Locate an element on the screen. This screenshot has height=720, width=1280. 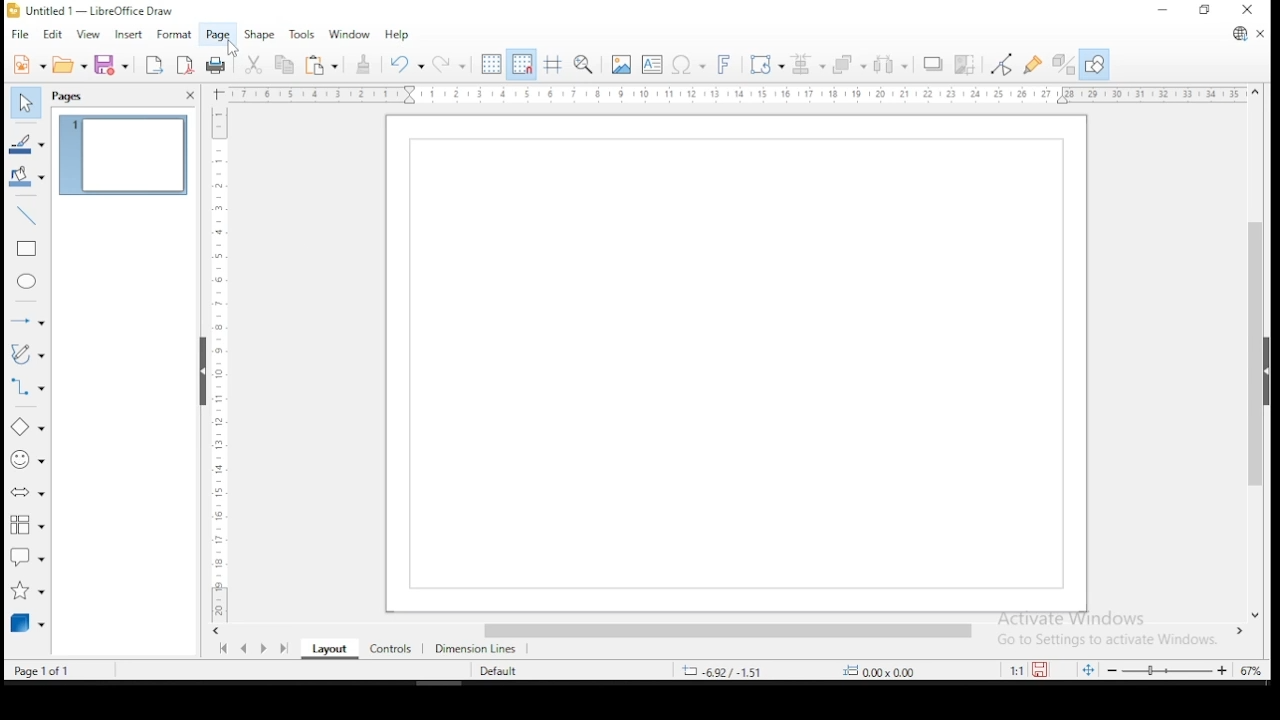
insert special characters is located at coordinates (688, 66).